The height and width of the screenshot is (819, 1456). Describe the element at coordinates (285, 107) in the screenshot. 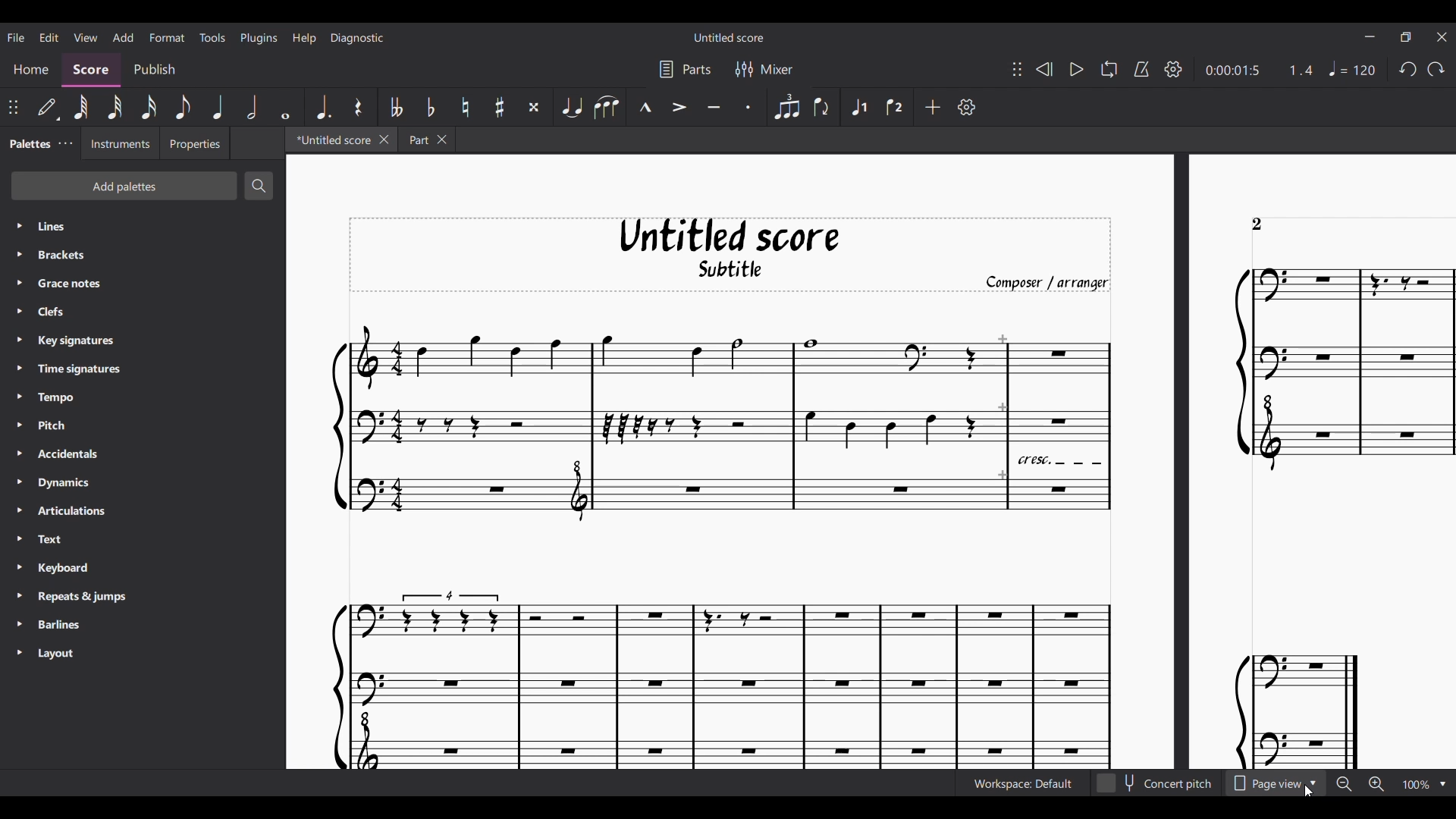

I see `Whole note` at that location.